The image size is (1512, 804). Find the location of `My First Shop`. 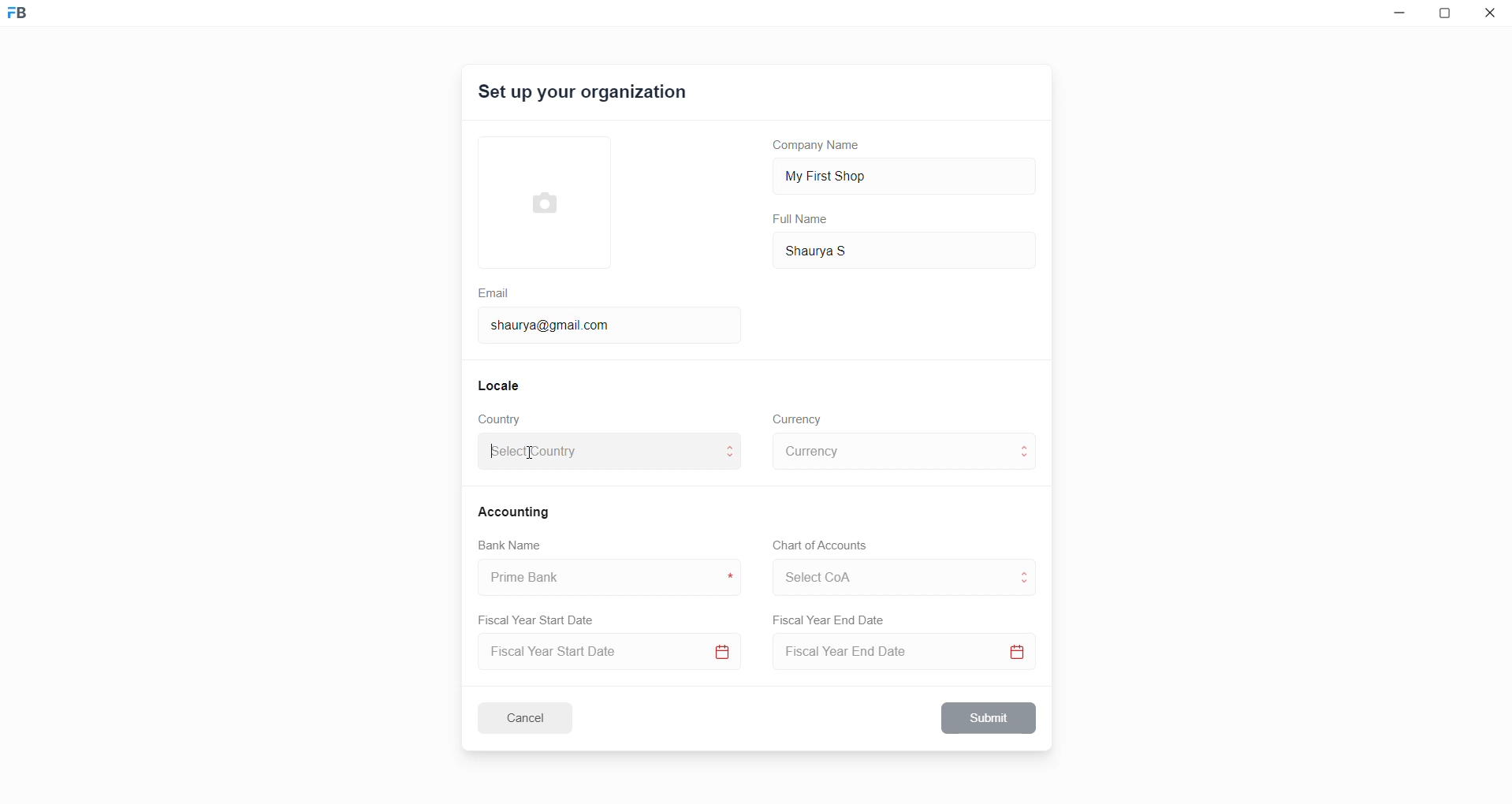

My First Shop is located at coordinates (851, 174).